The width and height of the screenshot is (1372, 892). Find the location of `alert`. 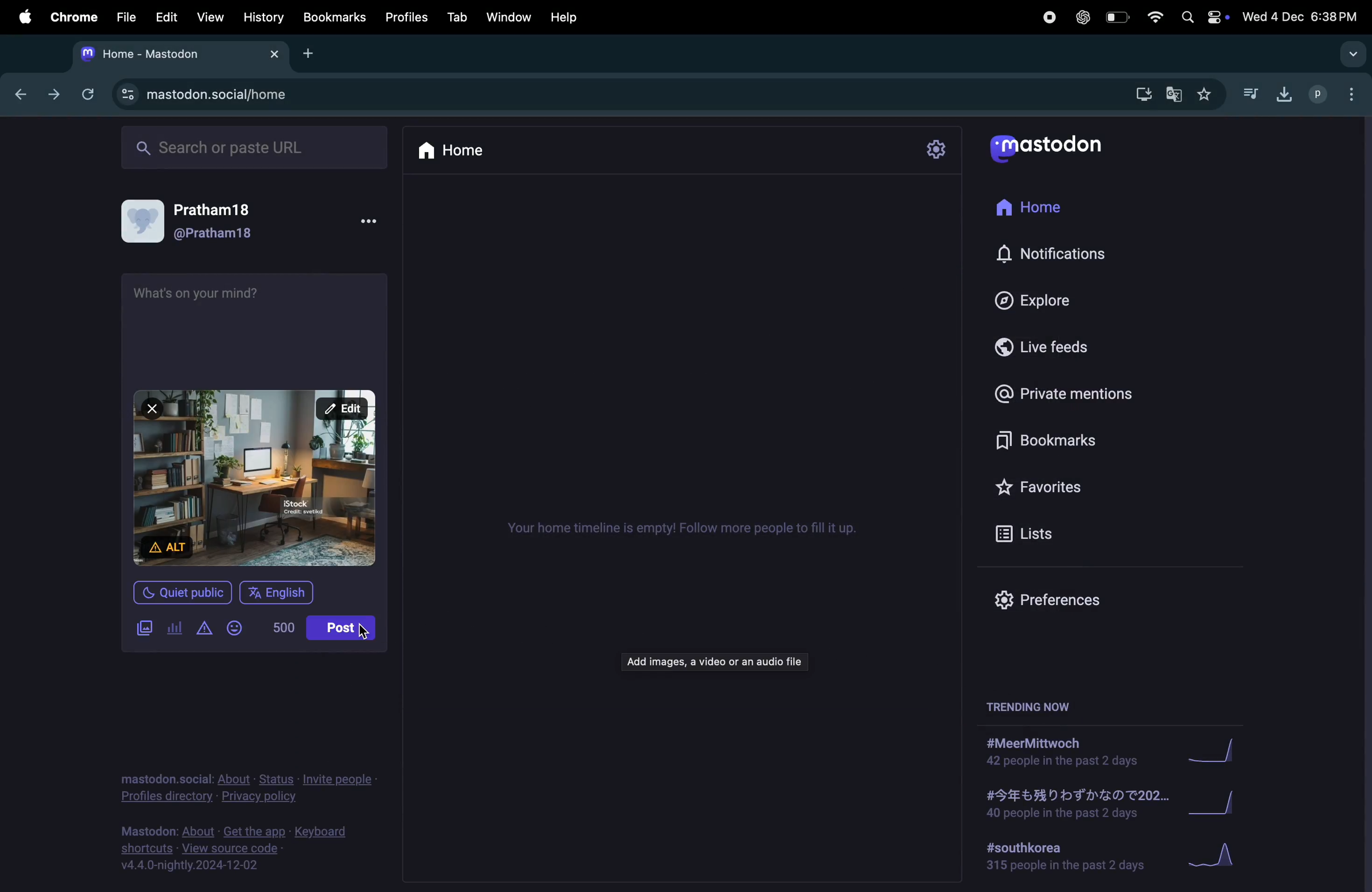

alert is located at coordinates (202, 628).